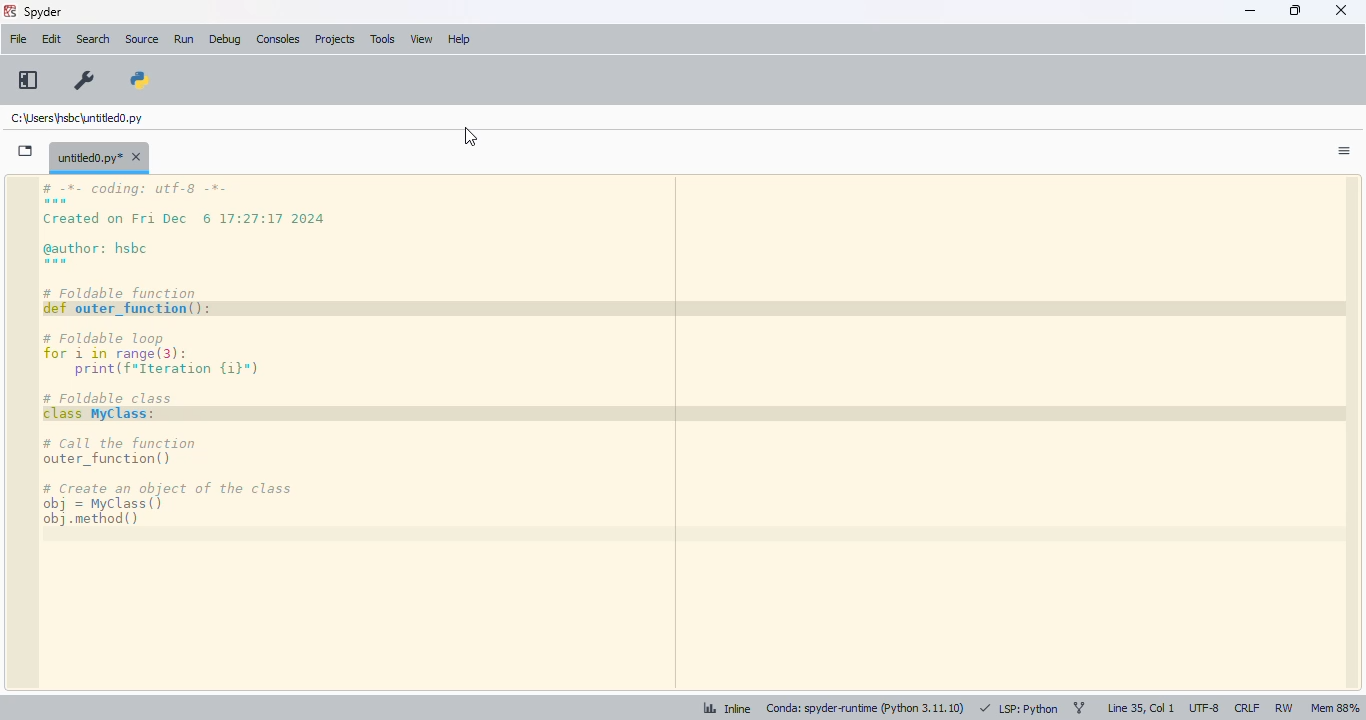 This screenshot has width=1366, height=720. I want to click on conda: spyder-runtime (python 3. 11. 10), so click(865, 707).